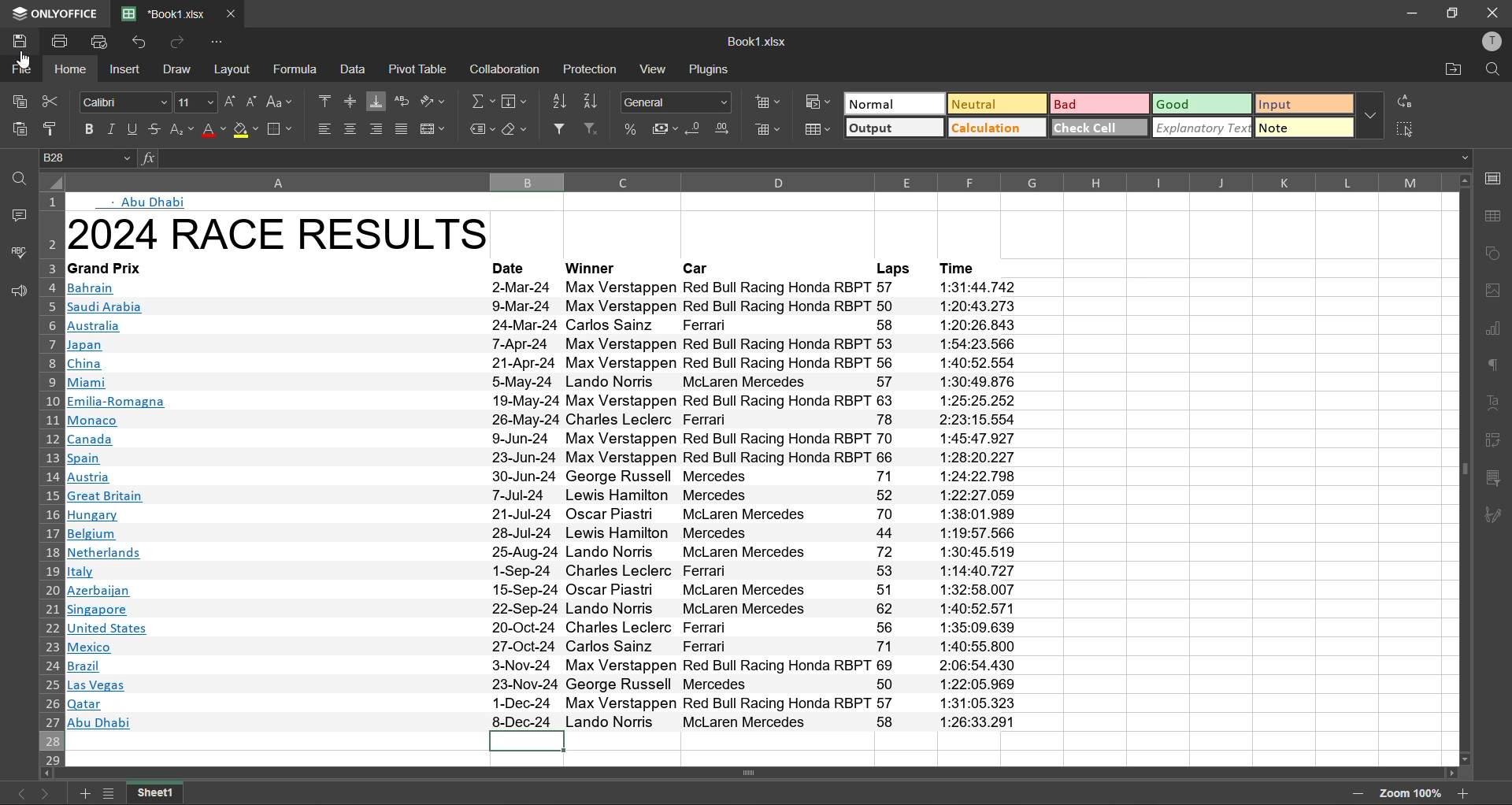  What do you see at coordinates (508, 68) in the screenshot?
I see `collaboration` at bounding box center [508, 68].